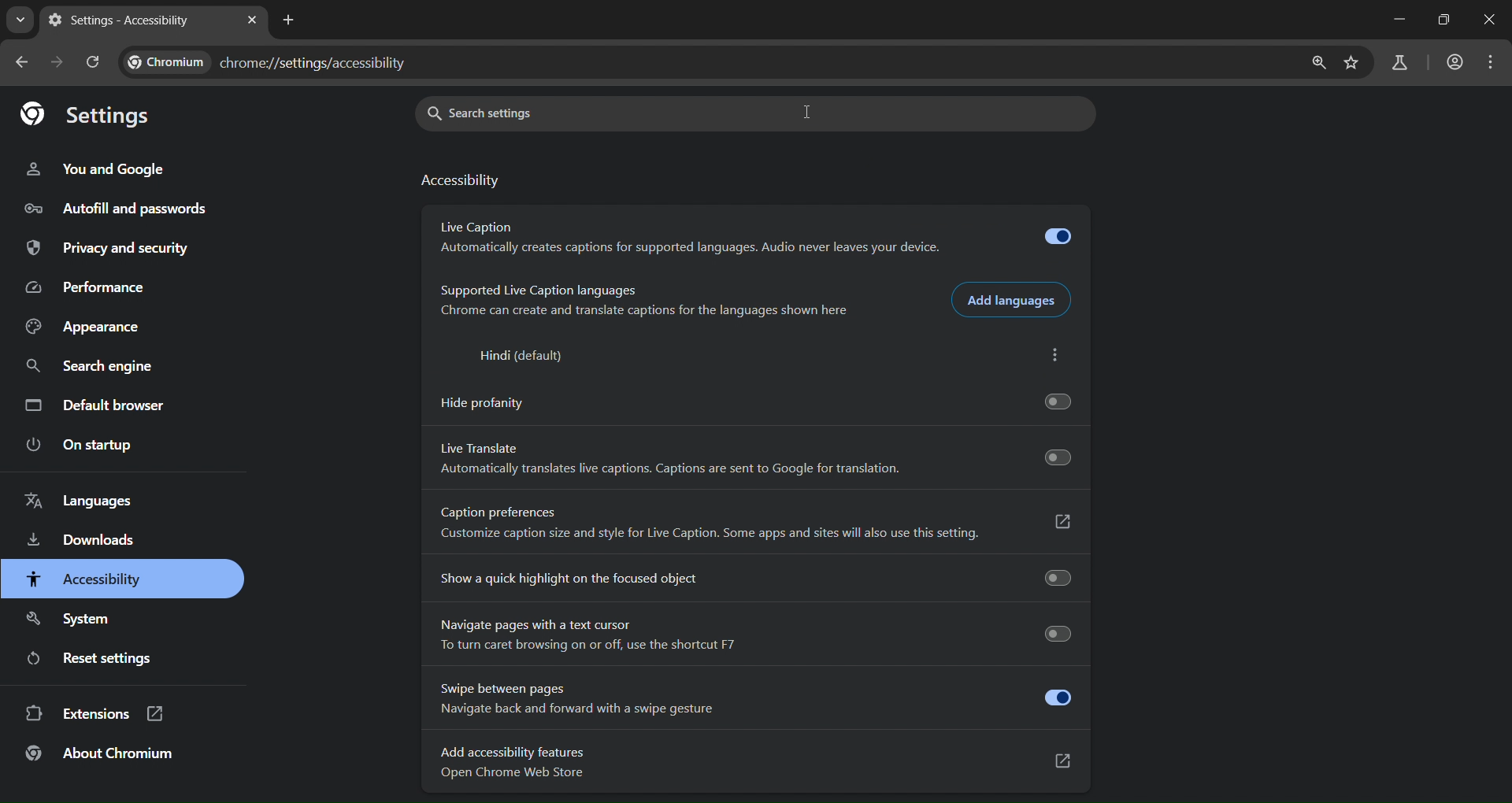 The height and width of the screenshot is (803, 1512). What do you see at coordinates (23, 20) in the screenshot?
I see `search tabs` at bounding box center [23, 20].